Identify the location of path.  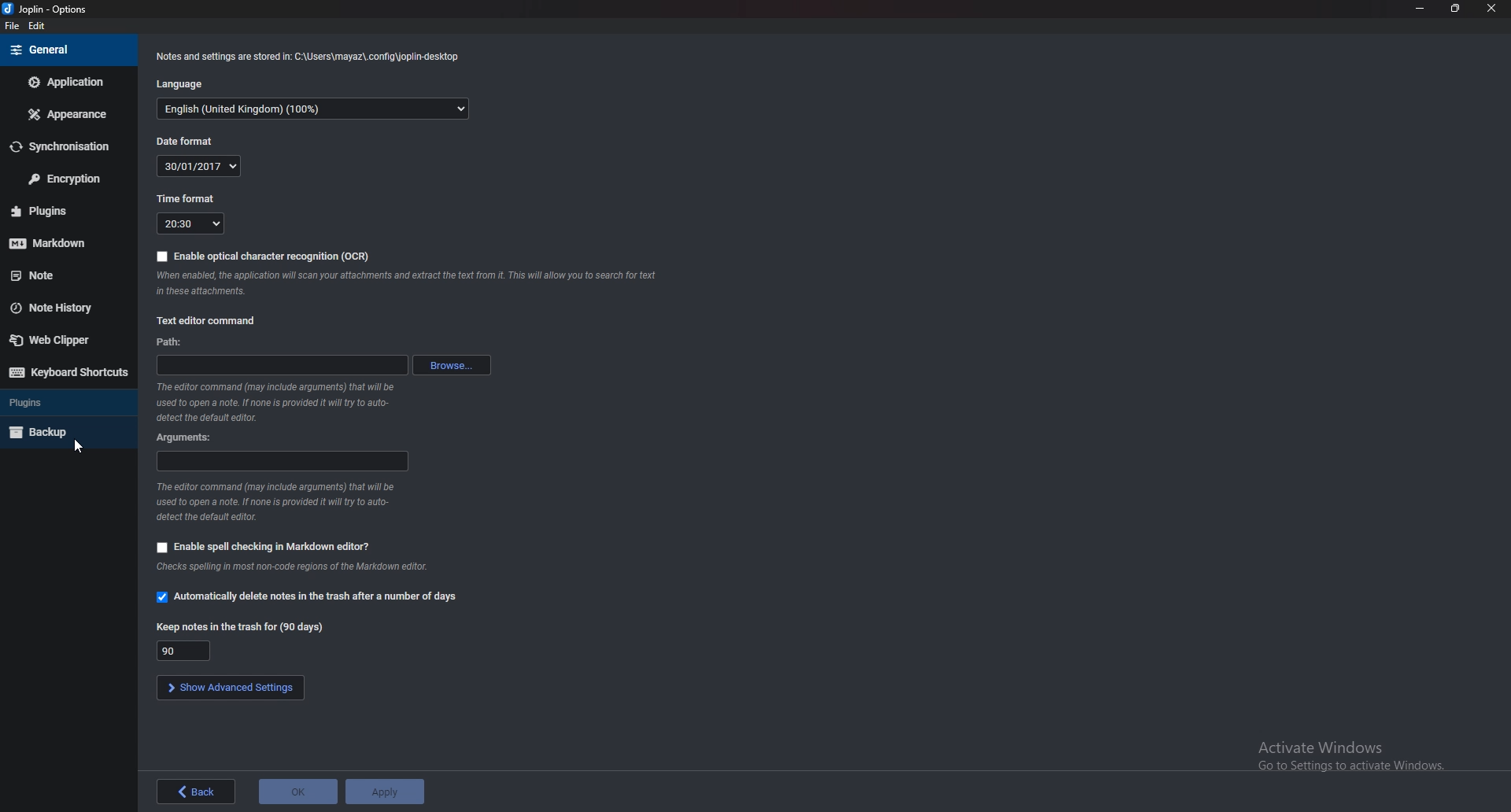
(282, 364).